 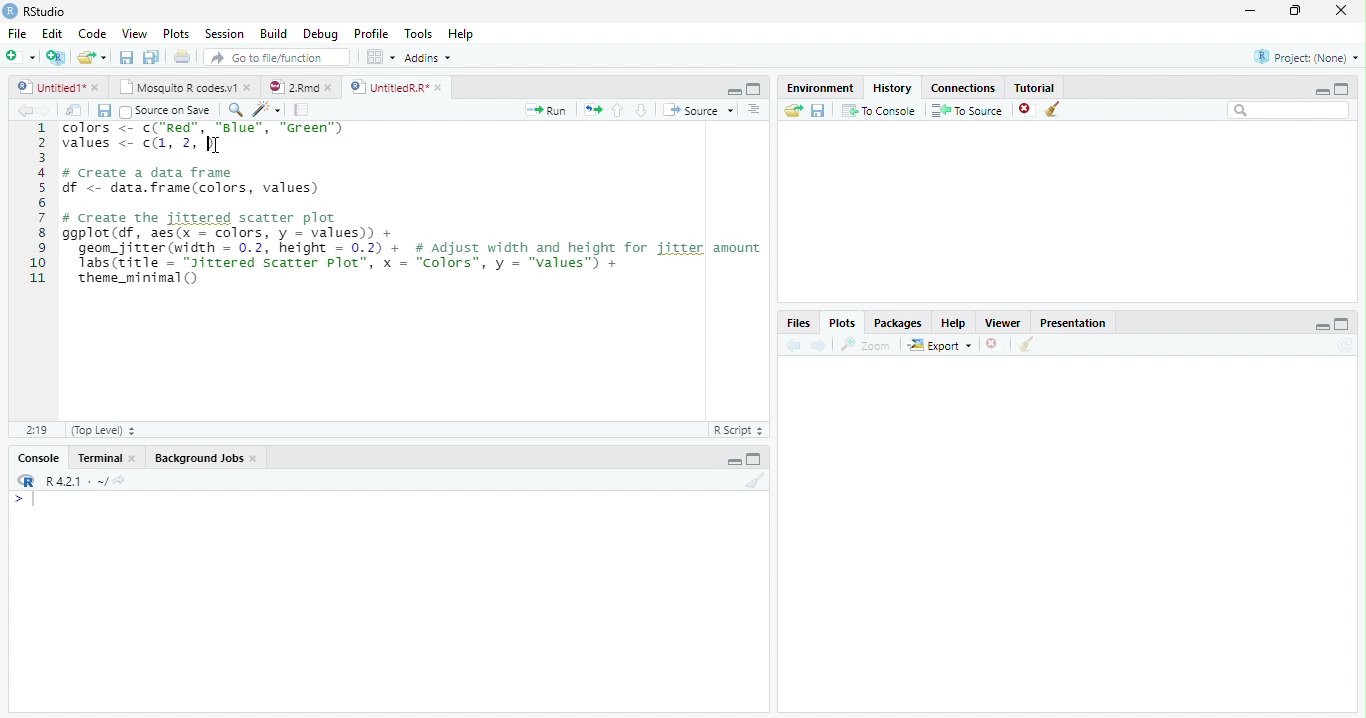 I want to click on RStudio, so click(x=35, y=12).